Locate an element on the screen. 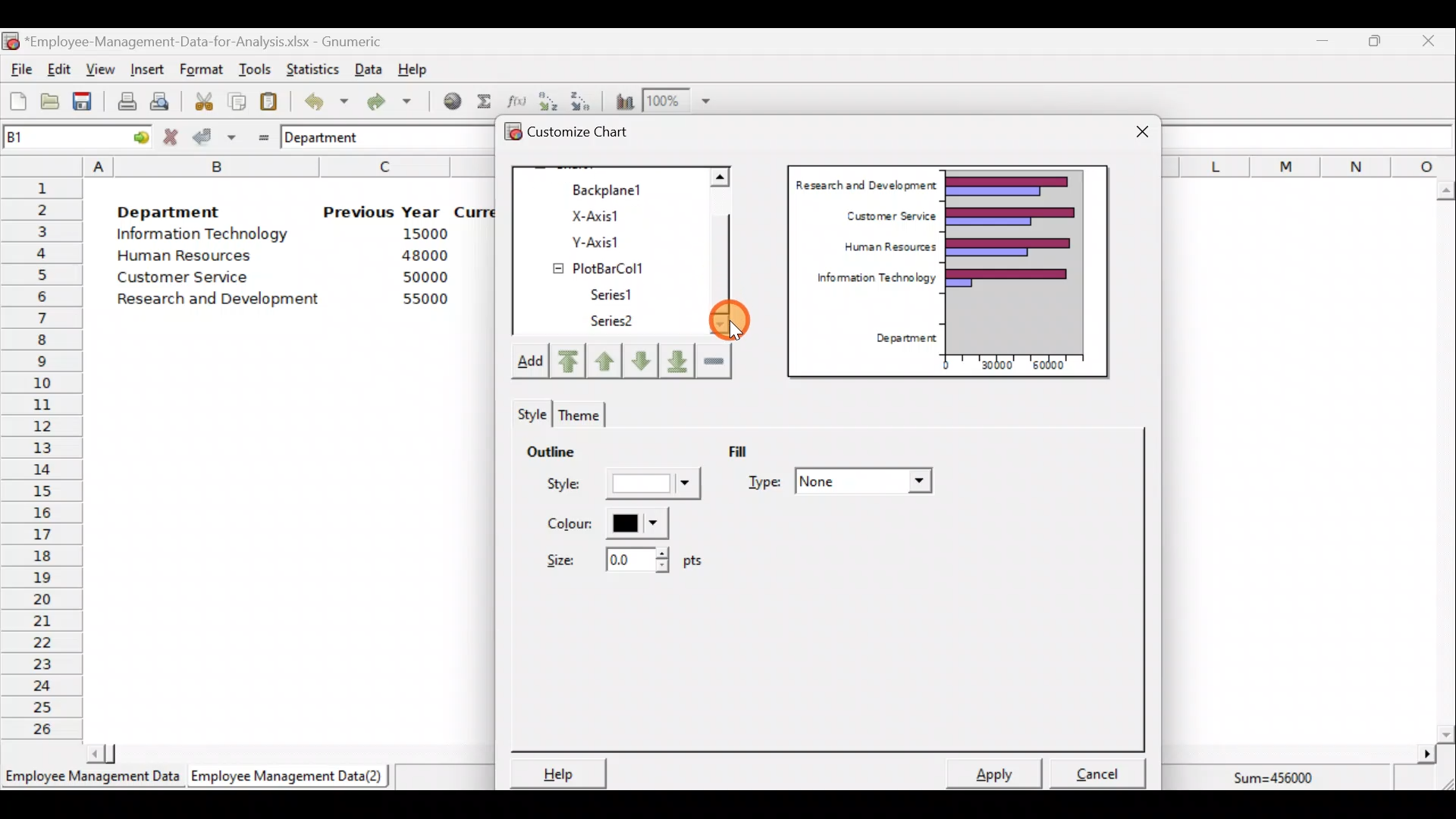 Image resolution: width=1456 pixels, height=819 pixels. Department is located at coordinates (331, 136).